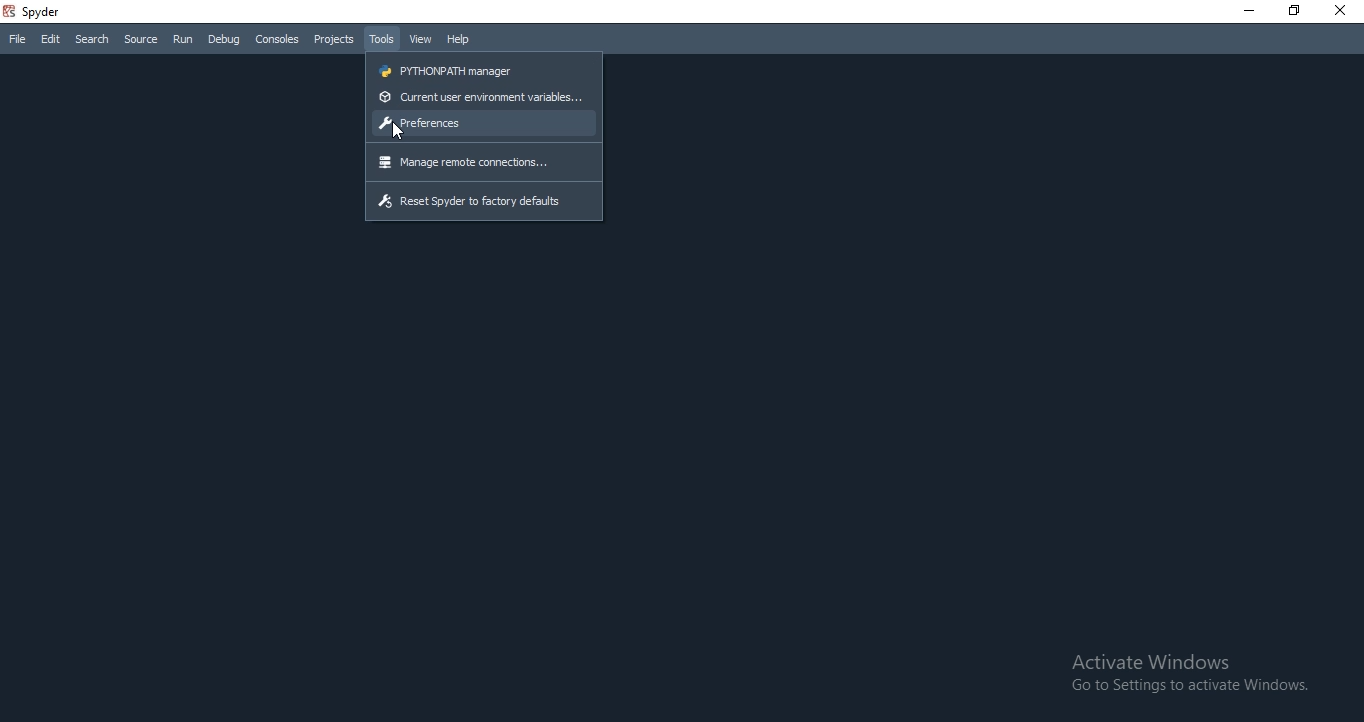 This screenshot has height=722, width=1364. Describe the element at coordinates (14, 41) in the screenshot. I see `File ` at that location.